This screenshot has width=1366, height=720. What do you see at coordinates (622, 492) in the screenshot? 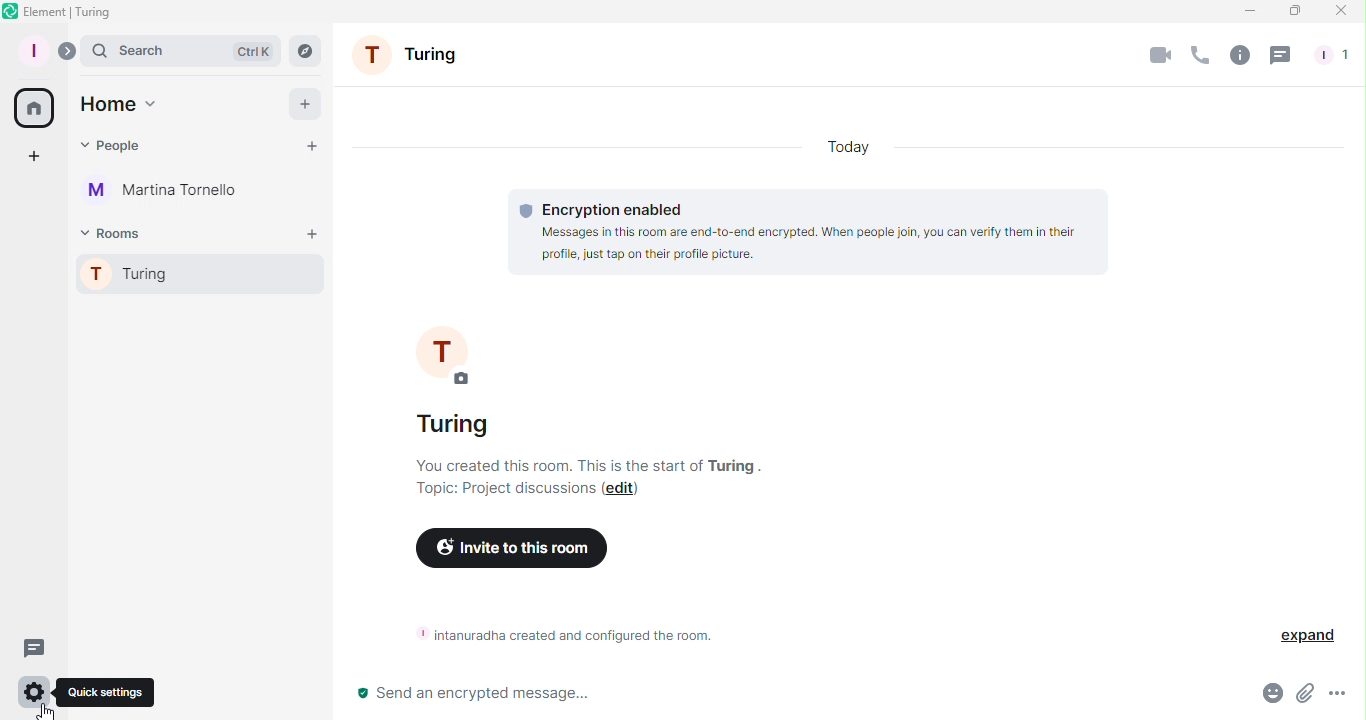
I see `Edit` at bounding box center [622, 492].